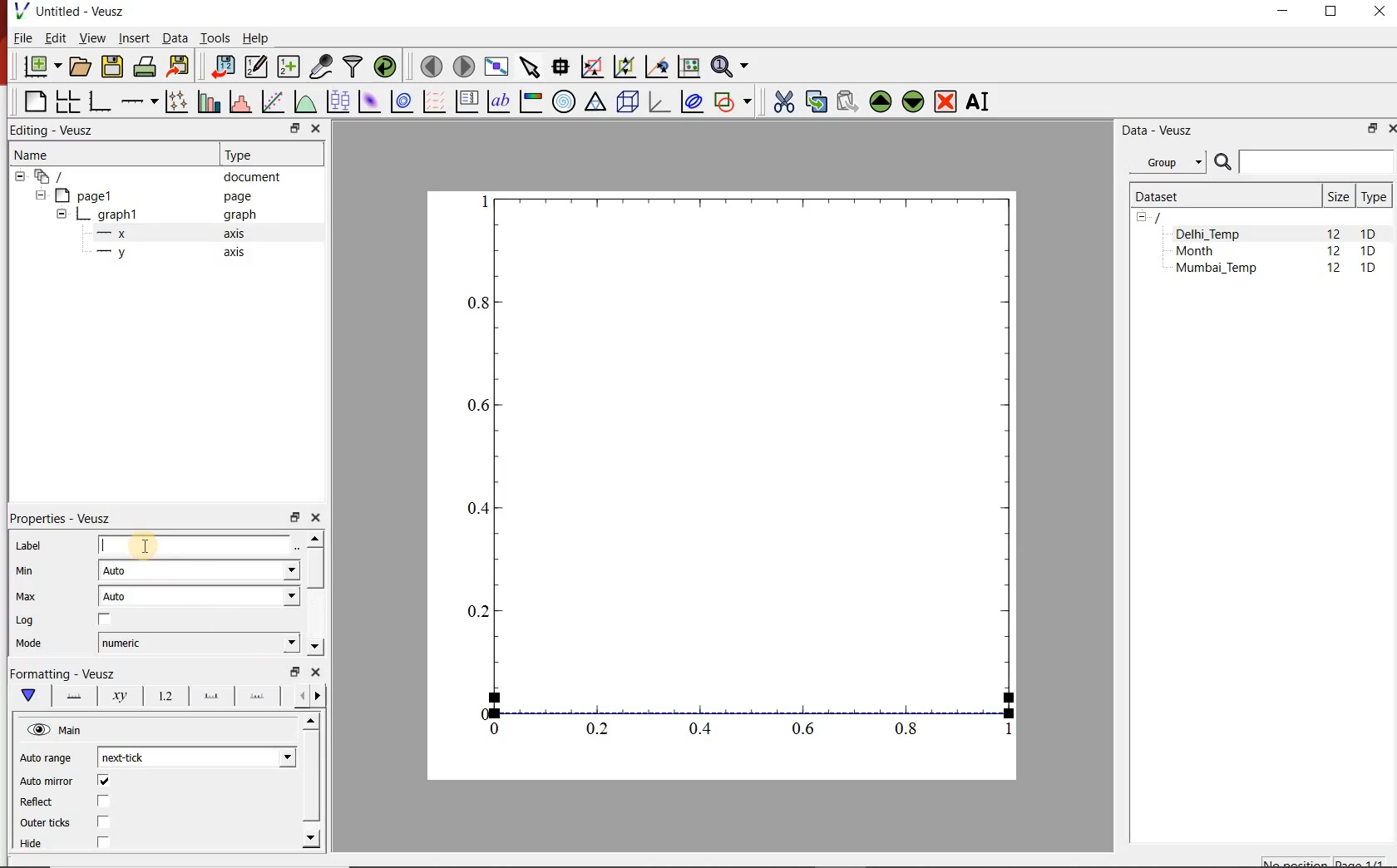 This screenshot has width=1397, height=868. I want to click on Tick labels, so click(164, 693).